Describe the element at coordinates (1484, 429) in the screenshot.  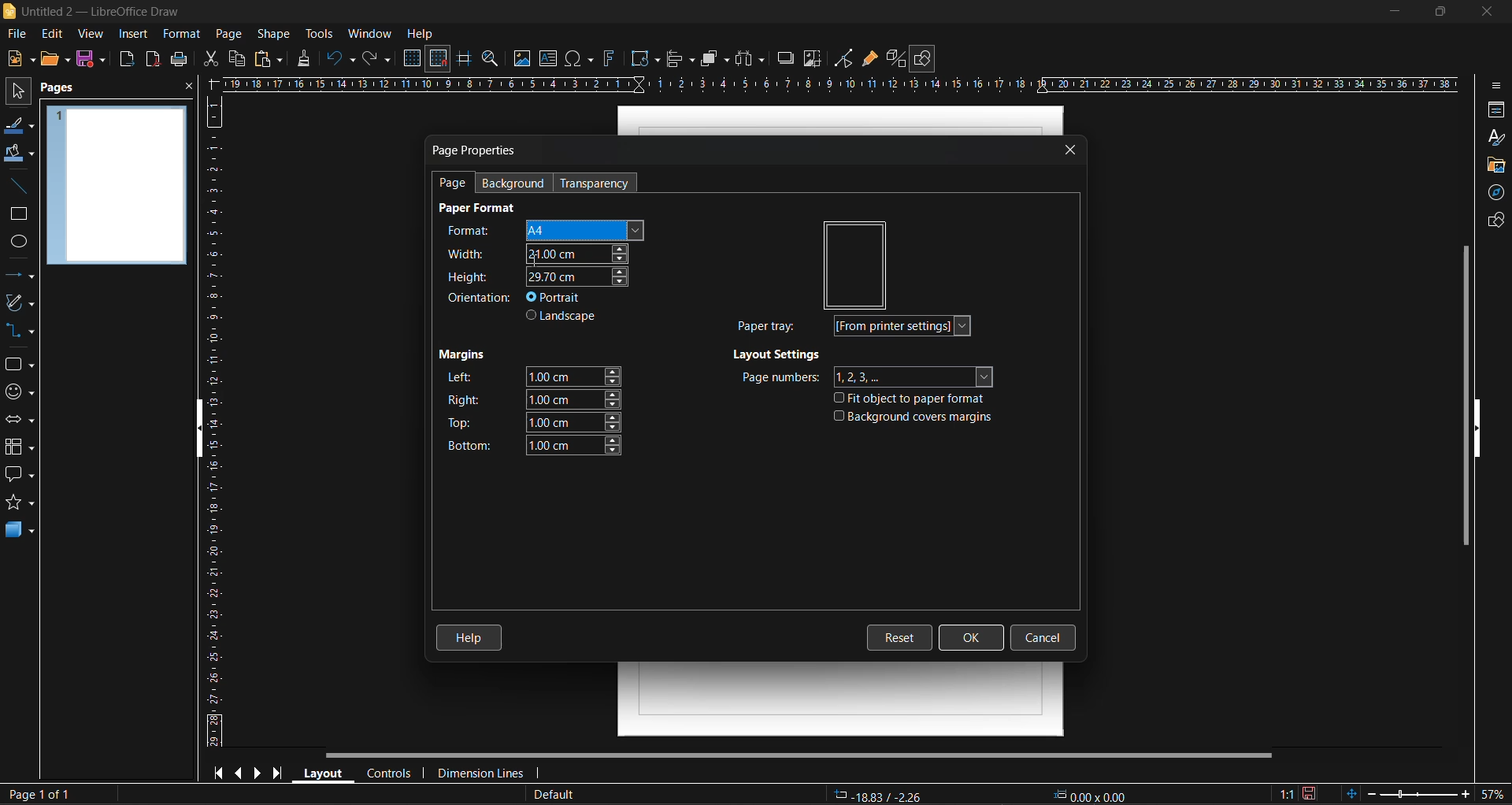
I see `hide` at that location.